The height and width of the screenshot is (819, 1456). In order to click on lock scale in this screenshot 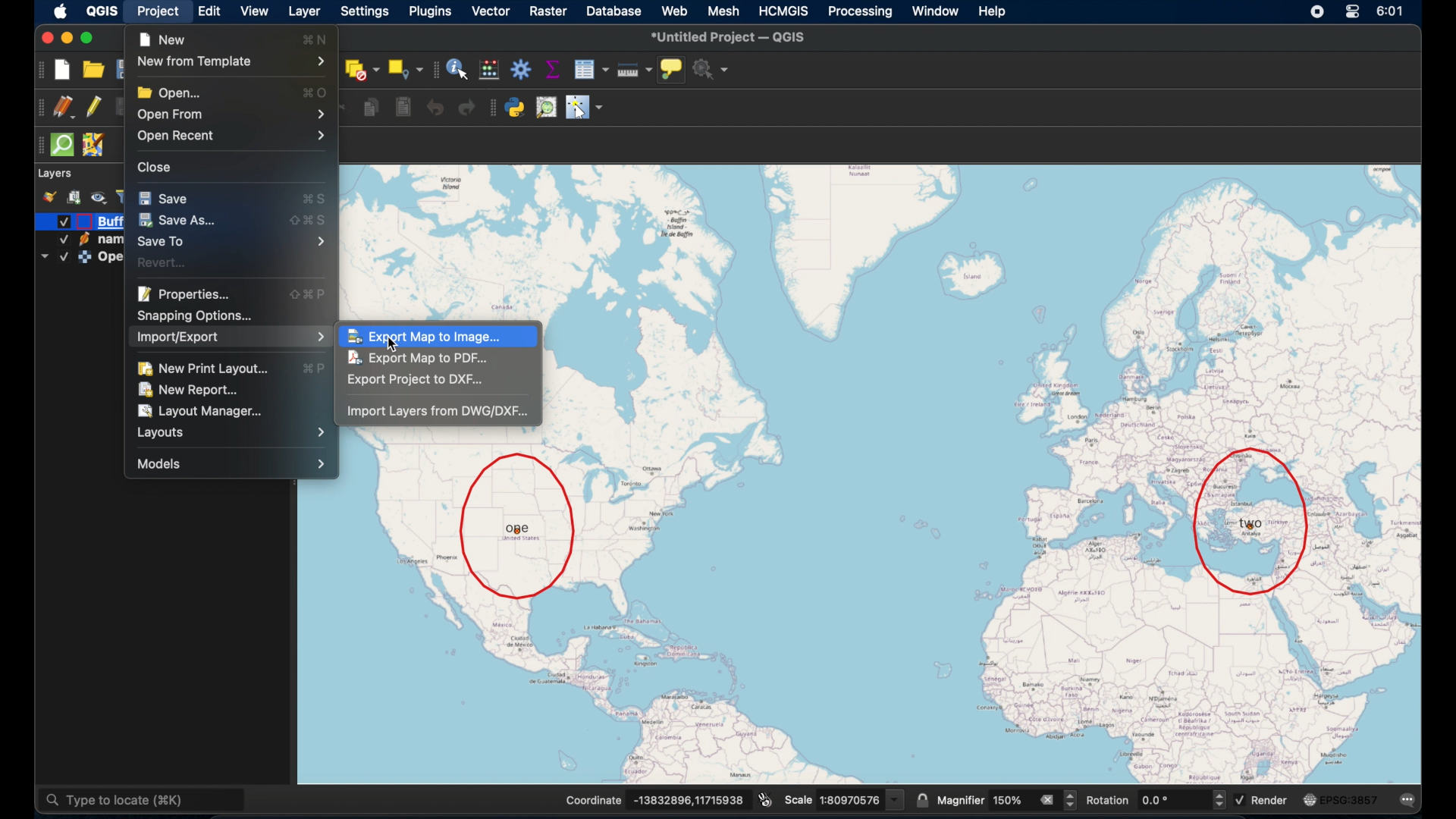, I will do `click(922, 797)`.